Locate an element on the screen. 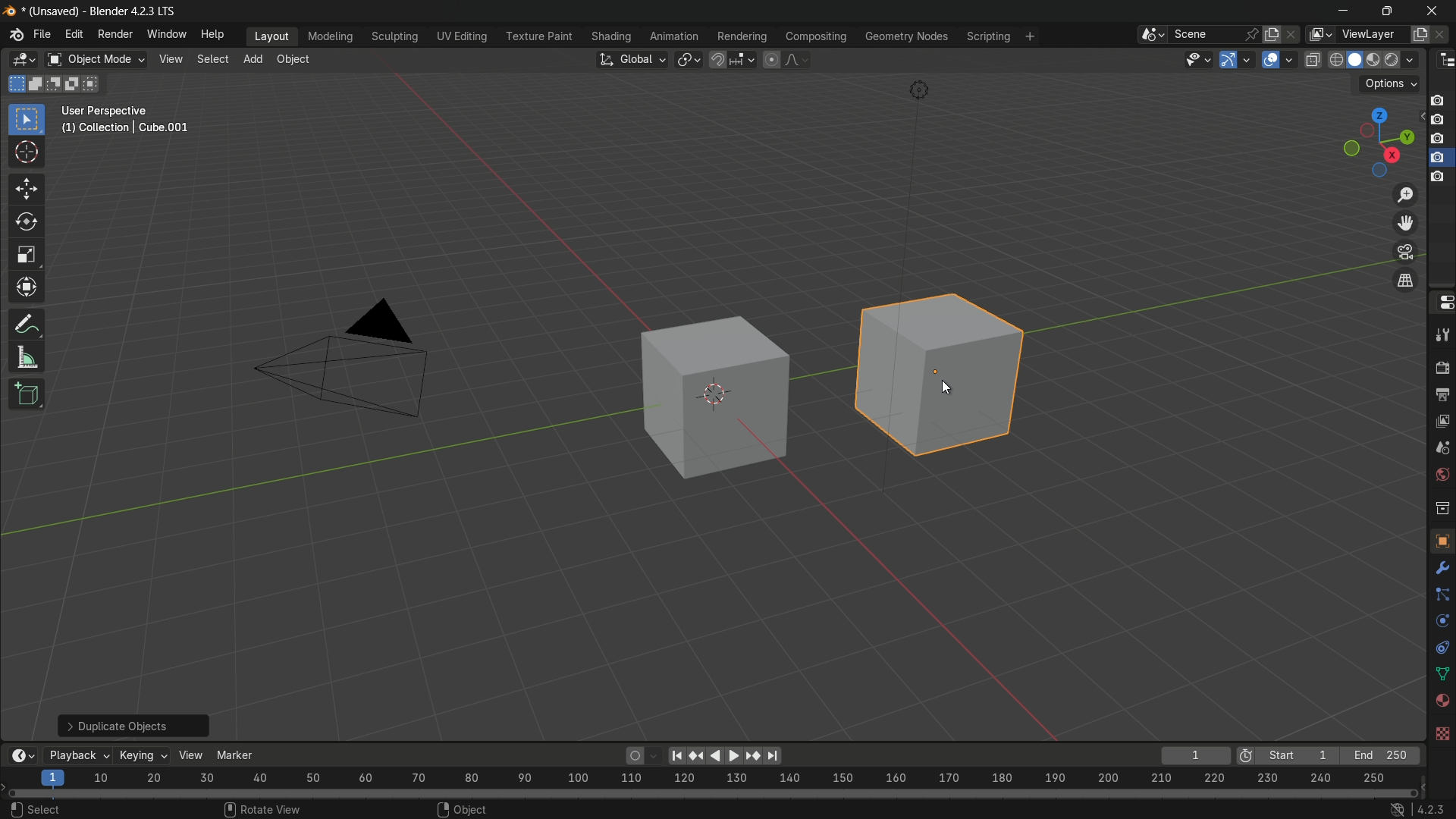 The image size is (1456, 819). intersect existing selection is located at coordinates (94, 86).